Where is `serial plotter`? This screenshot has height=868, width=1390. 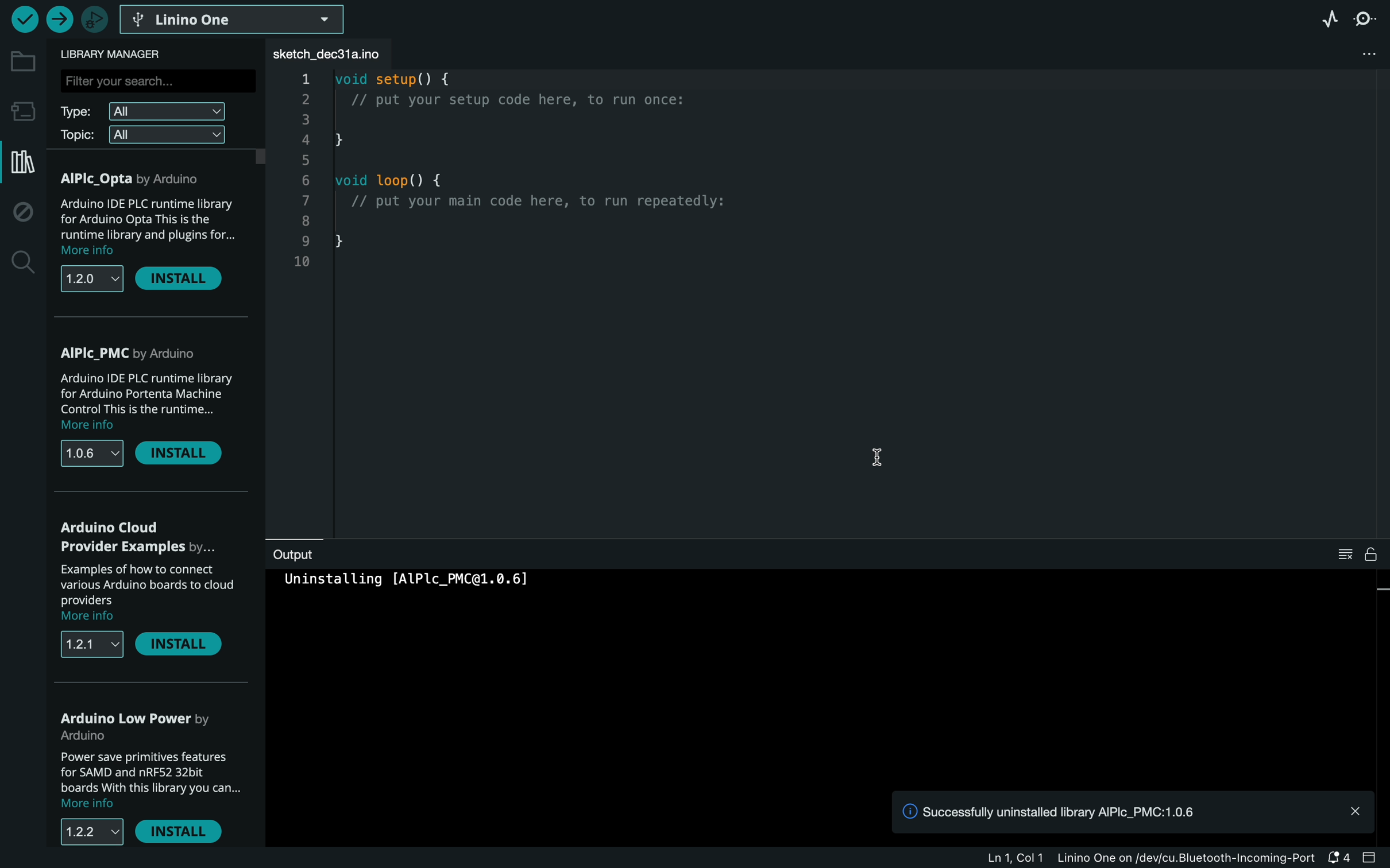 serial plotter is located at coordinates (1330, 21).